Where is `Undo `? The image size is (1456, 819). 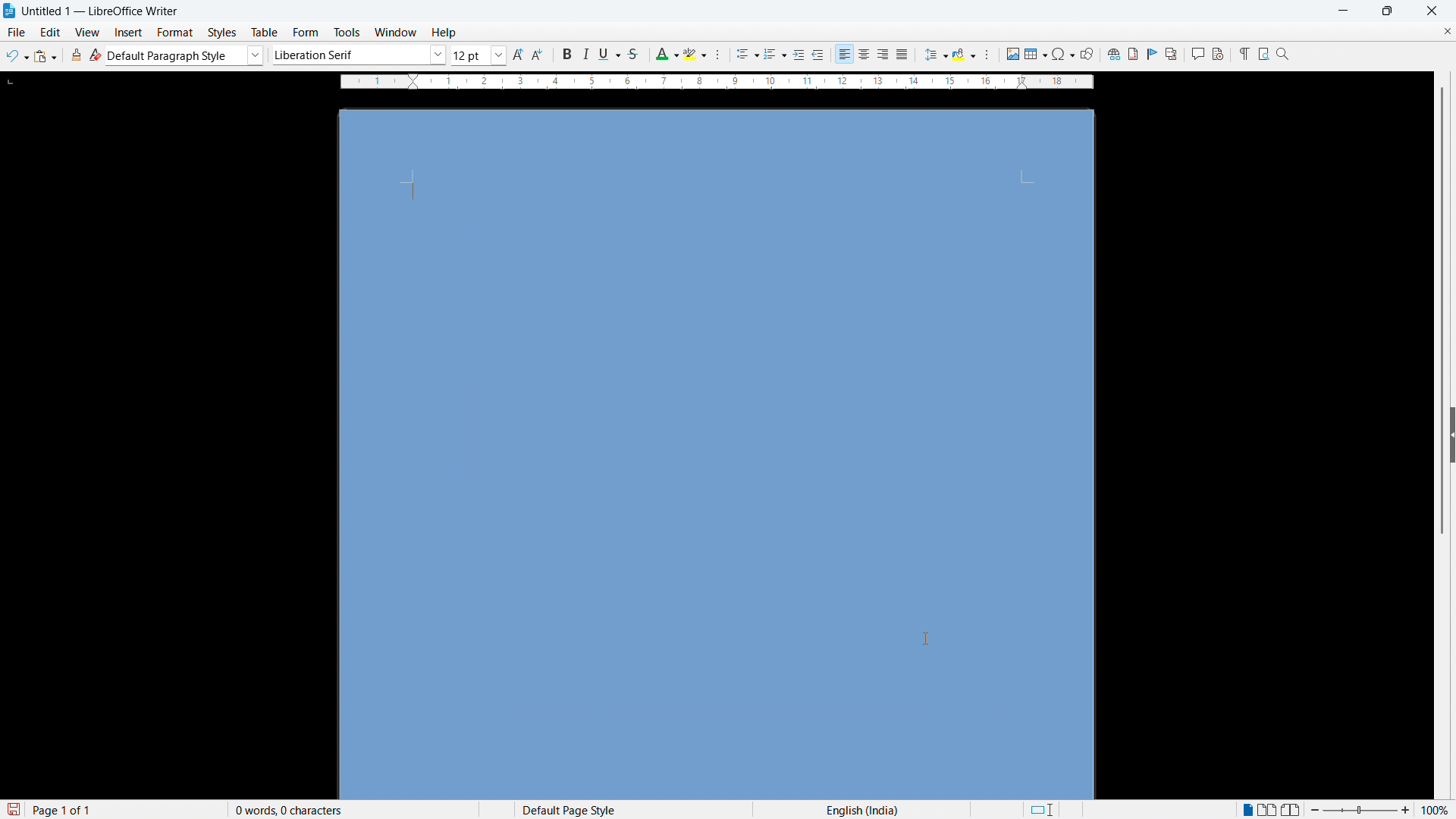
Undo  is located at coordinates (17, 56).